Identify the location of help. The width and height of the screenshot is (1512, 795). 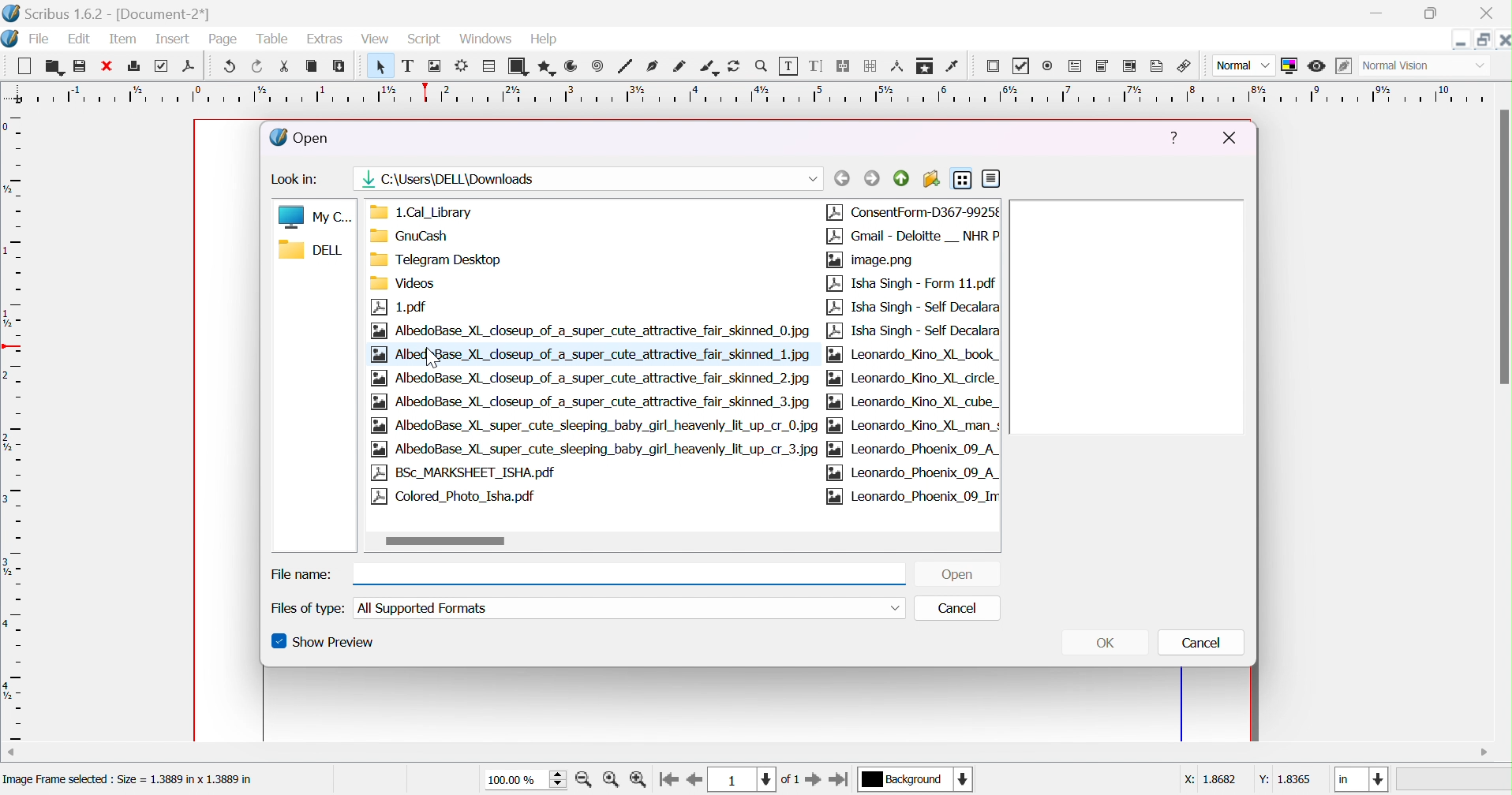
(1172, 137).